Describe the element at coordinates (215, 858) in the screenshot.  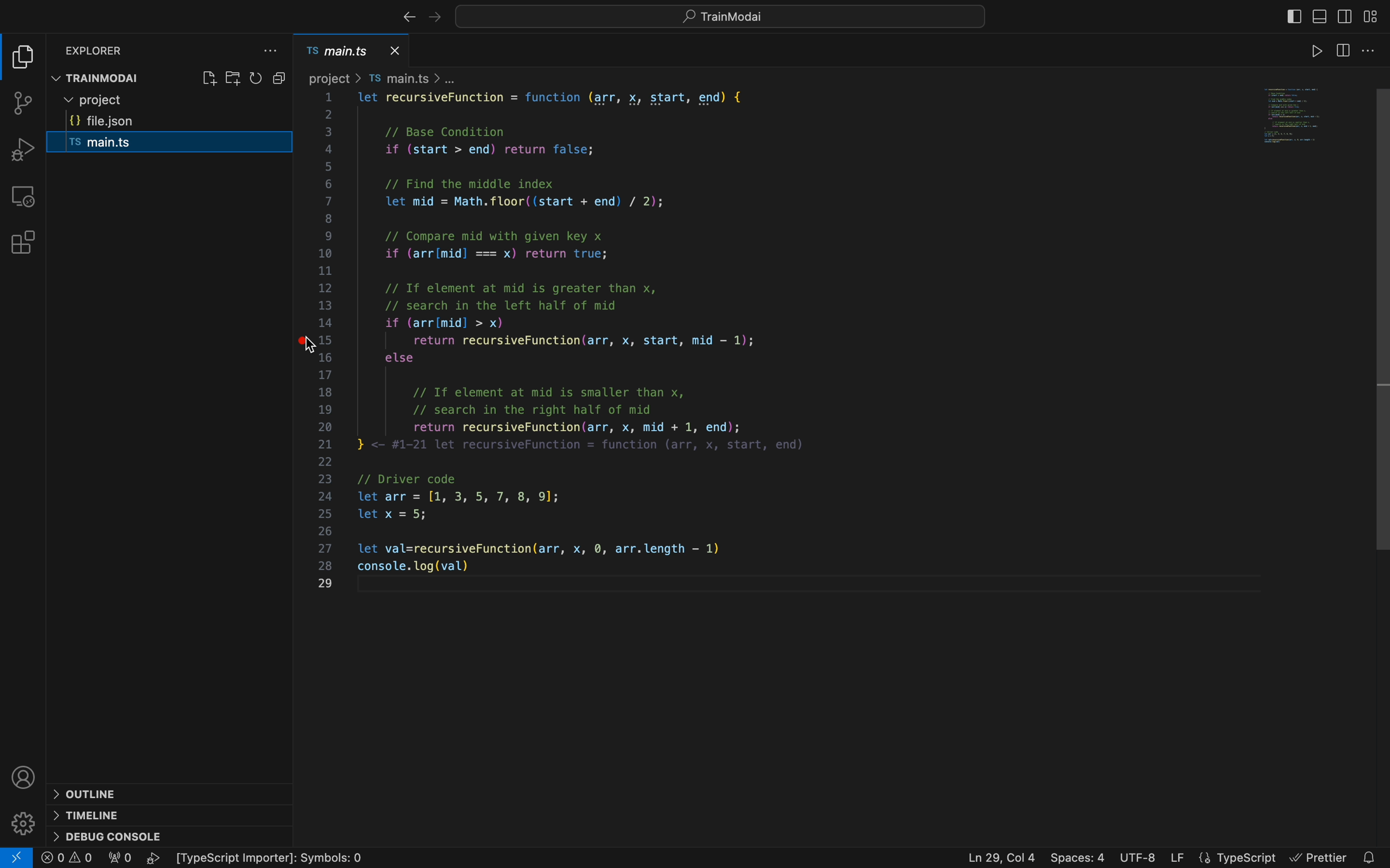
I see `error logs` at that location.